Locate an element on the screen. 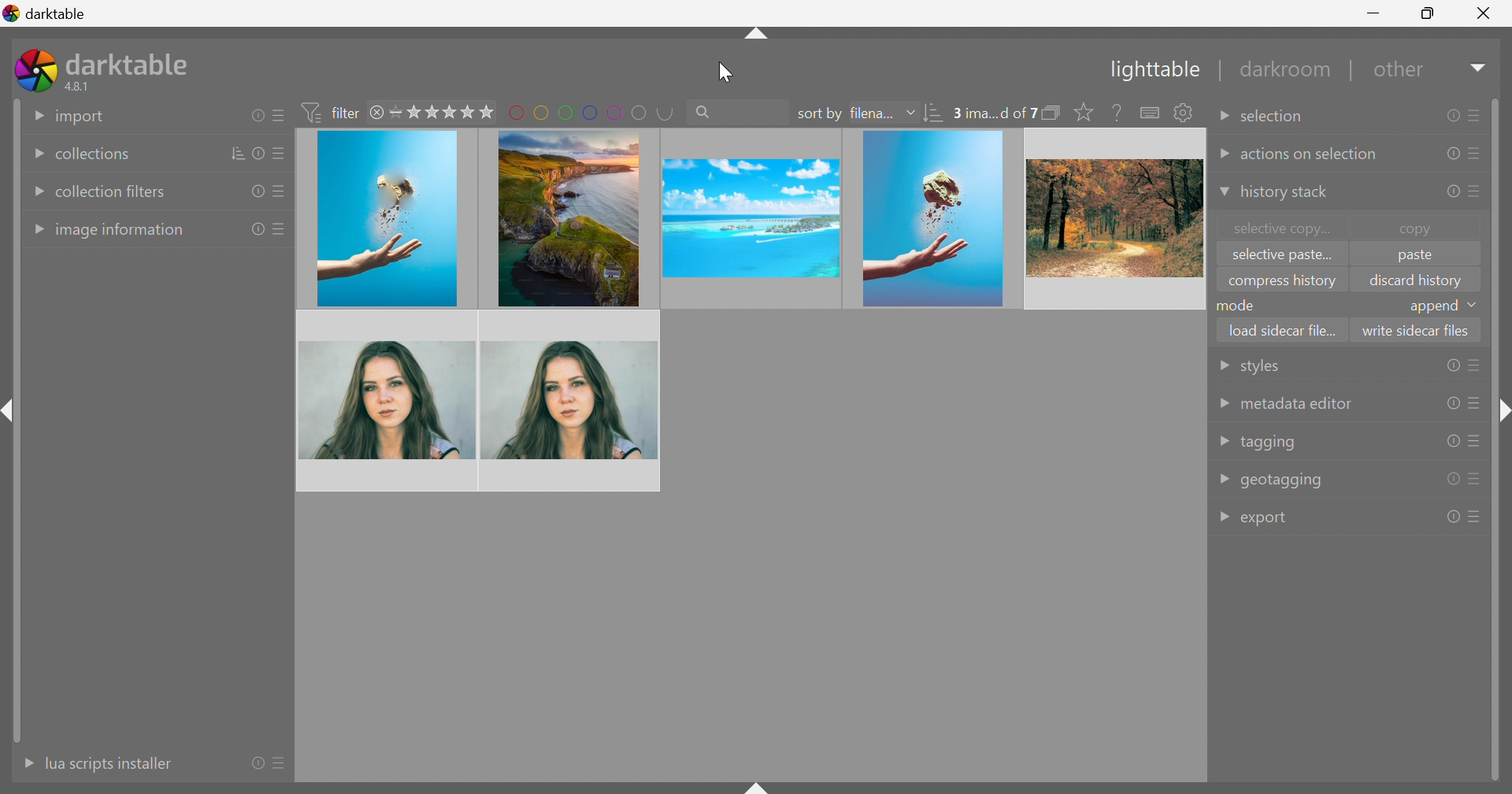 The width and height of the screenshot is (1512, 794). Drop Down is located at coordinates (1222, 120).